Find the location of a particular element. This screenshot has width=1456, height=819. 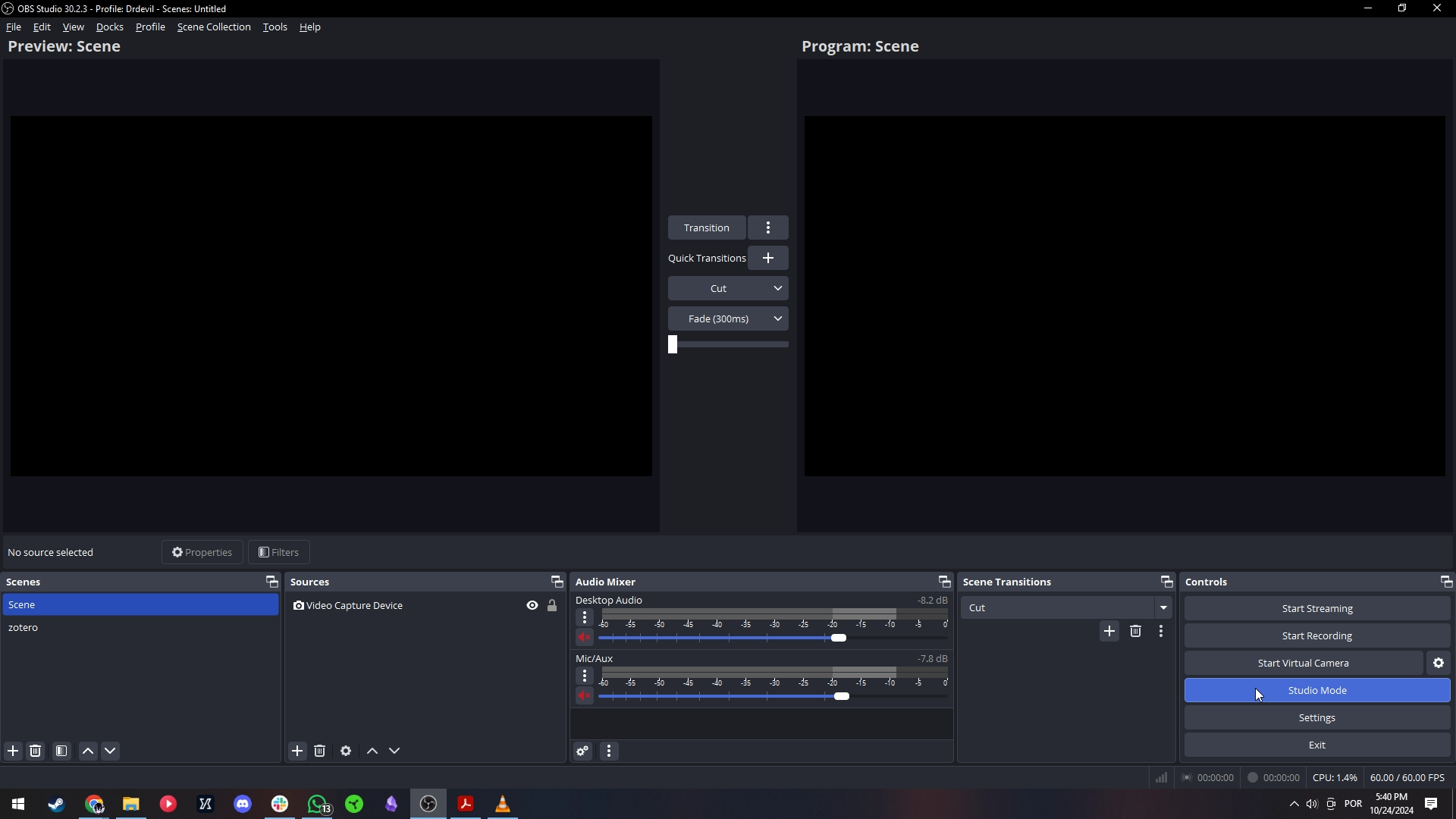

Connection quality is located at coordinates (1161, 777).